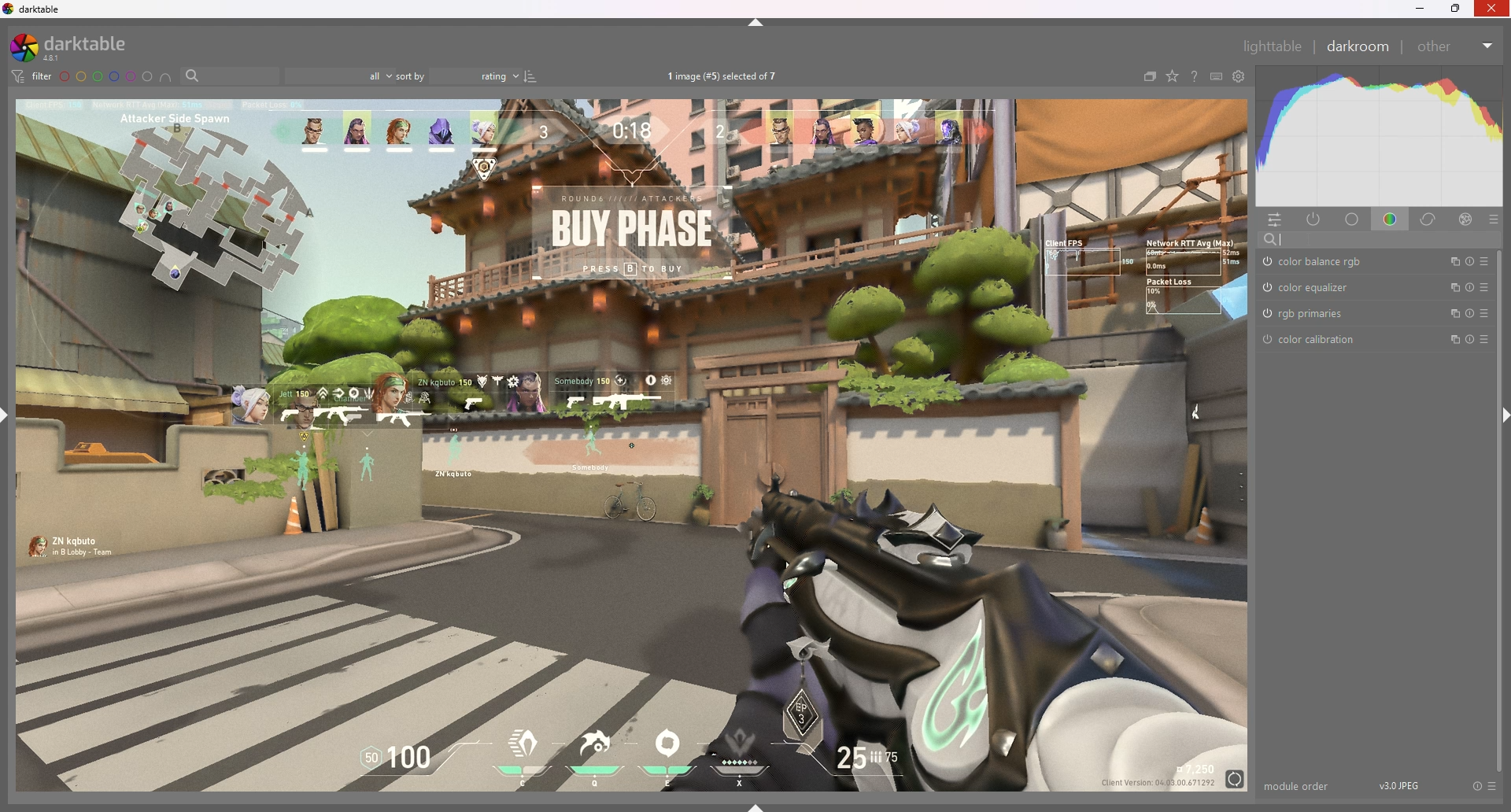 The height and width of the screenshot is (812, 1511). I want to click on color balance rgb, so click(1321, 262).